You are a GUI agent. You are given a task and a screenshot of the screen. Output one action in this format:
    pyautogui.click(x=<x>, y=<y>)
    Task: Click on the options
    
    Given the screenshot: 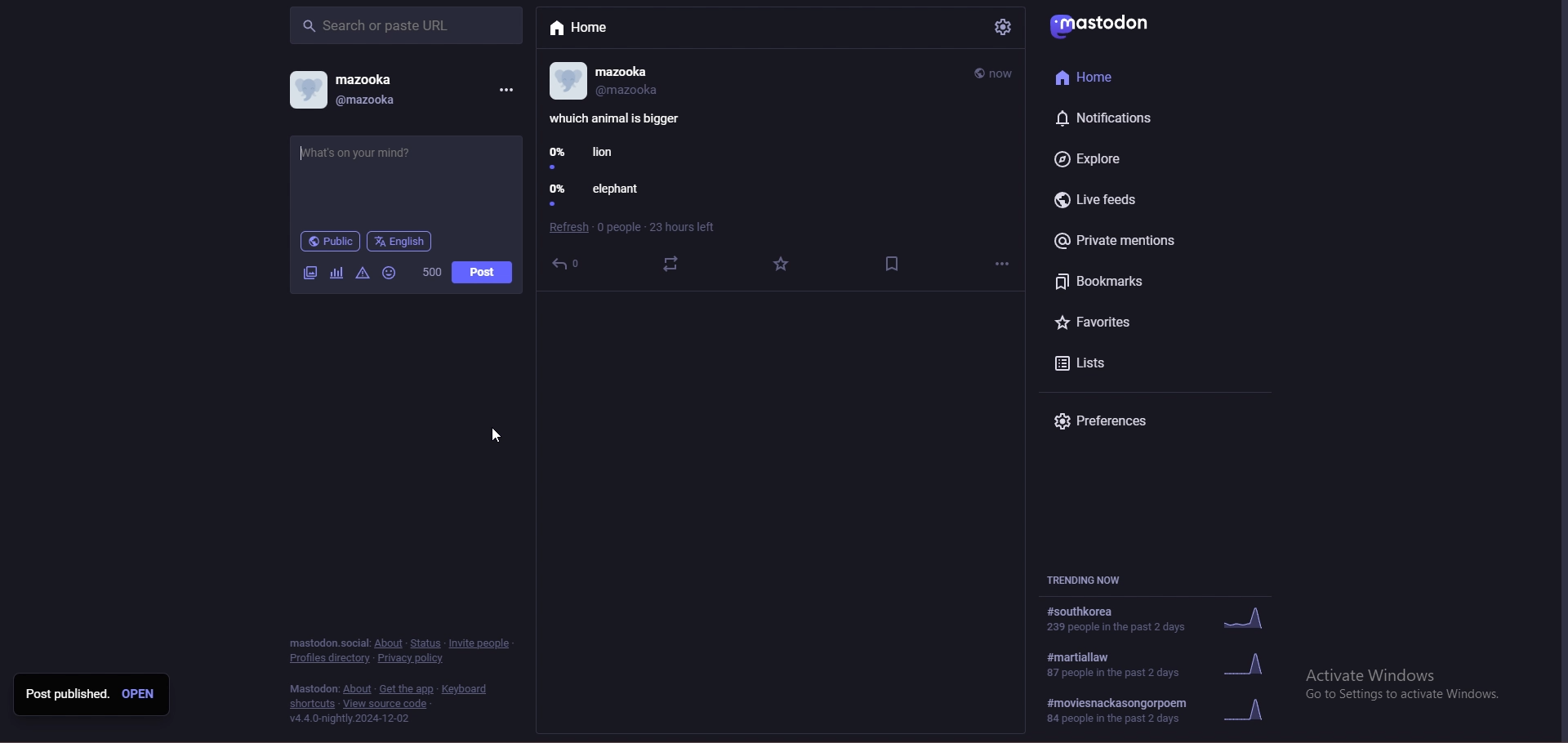 What is the action you would take?
    pyautogui.click(x=1002, y=264)
    